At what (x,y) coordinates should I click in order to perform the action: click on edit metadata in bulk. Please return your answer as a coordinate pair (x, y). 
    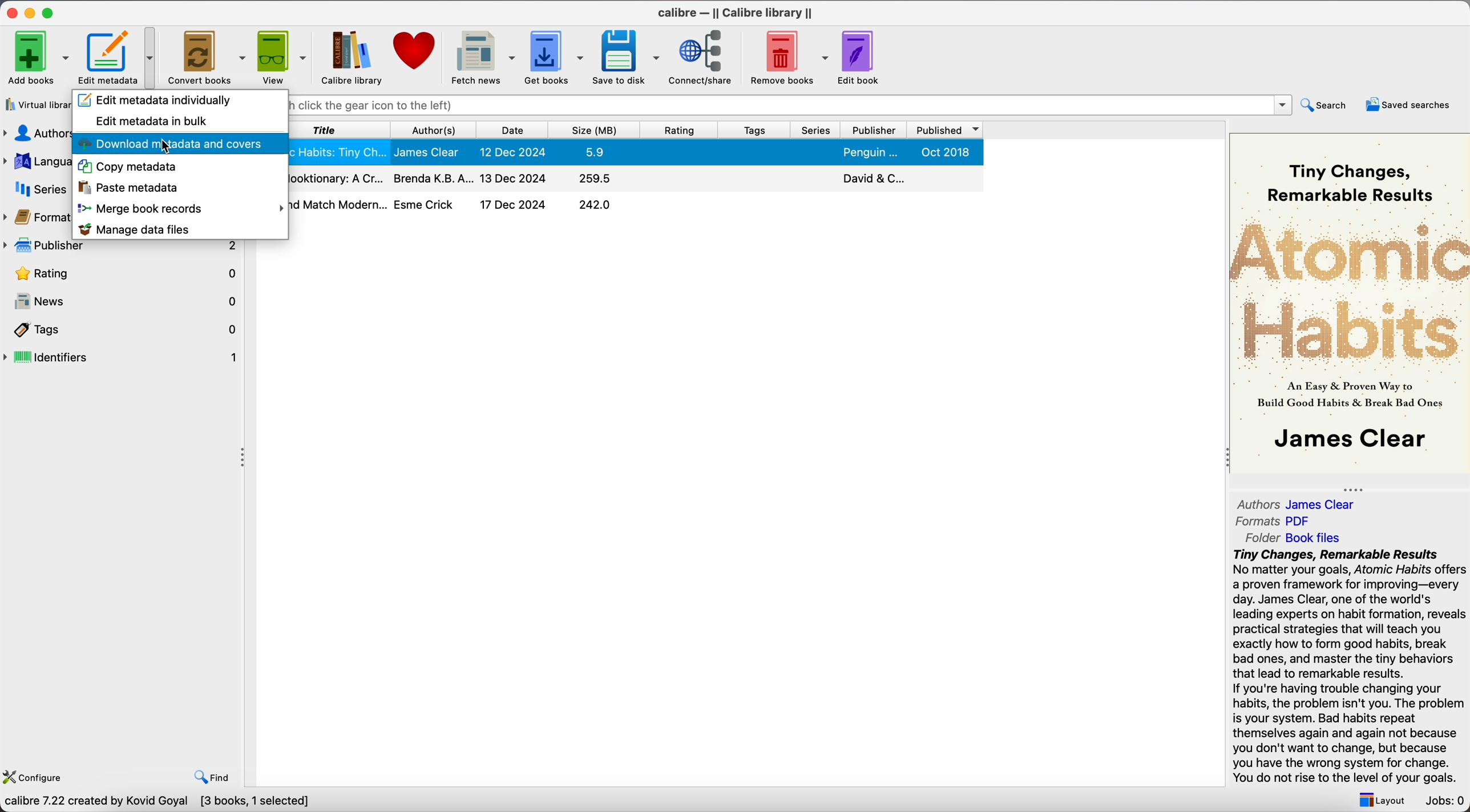
    Looking at the image, I should click on (152, 121).